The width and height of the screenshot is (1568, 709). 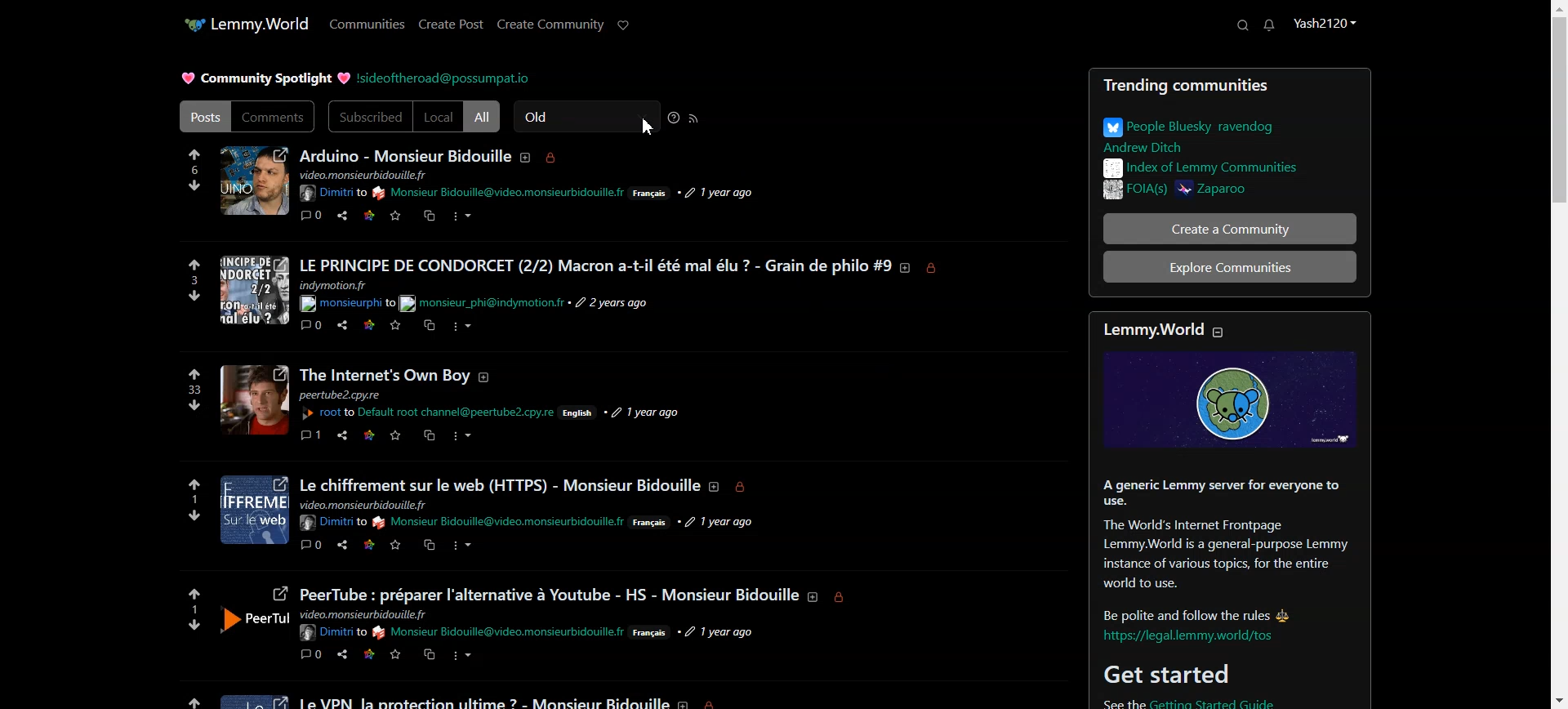 I want to click on , so click(x=366, y=616).